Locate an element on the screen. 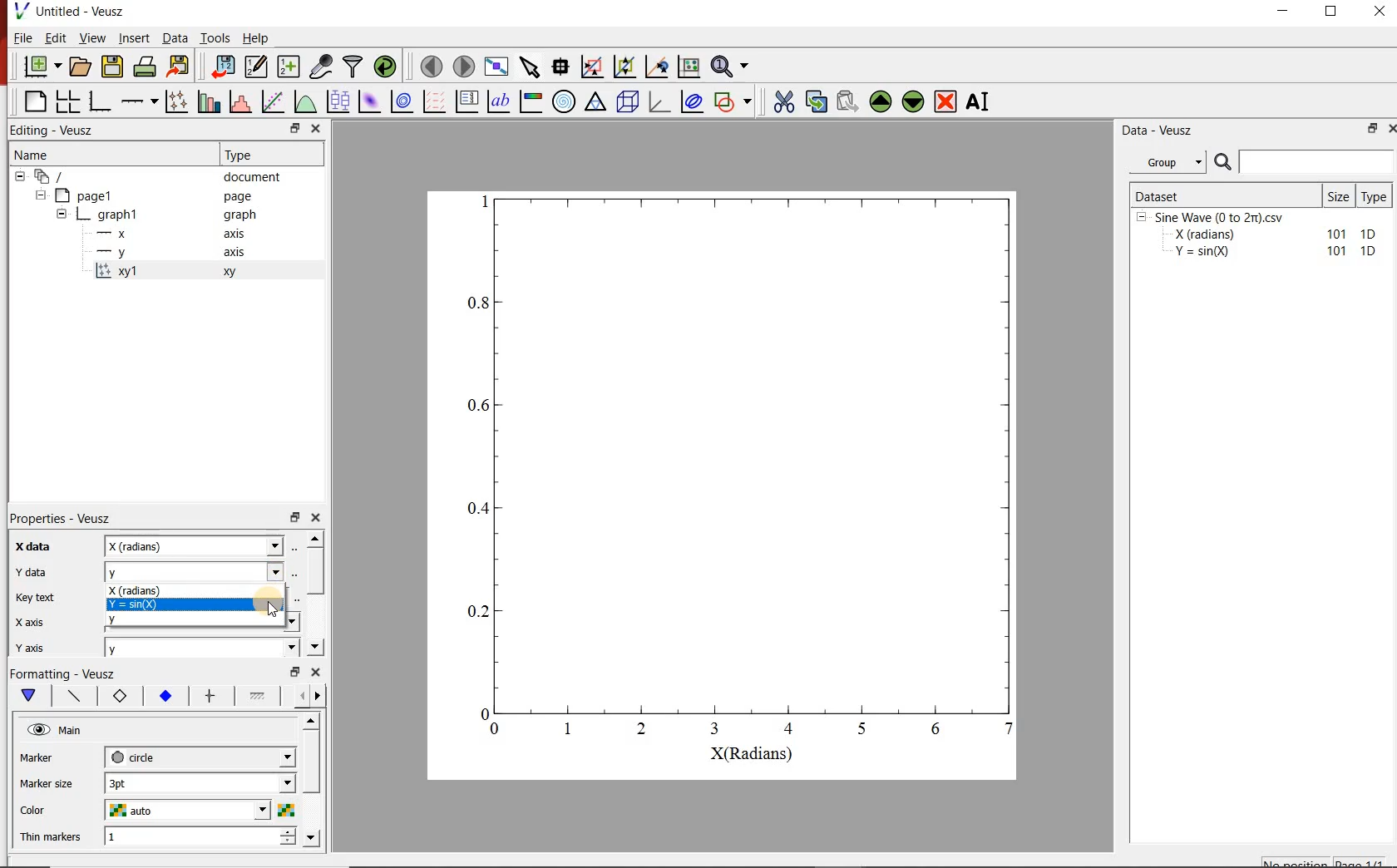 This screenshot has width=1397, height=868. capture remote data is located at coordinates (323, 67).